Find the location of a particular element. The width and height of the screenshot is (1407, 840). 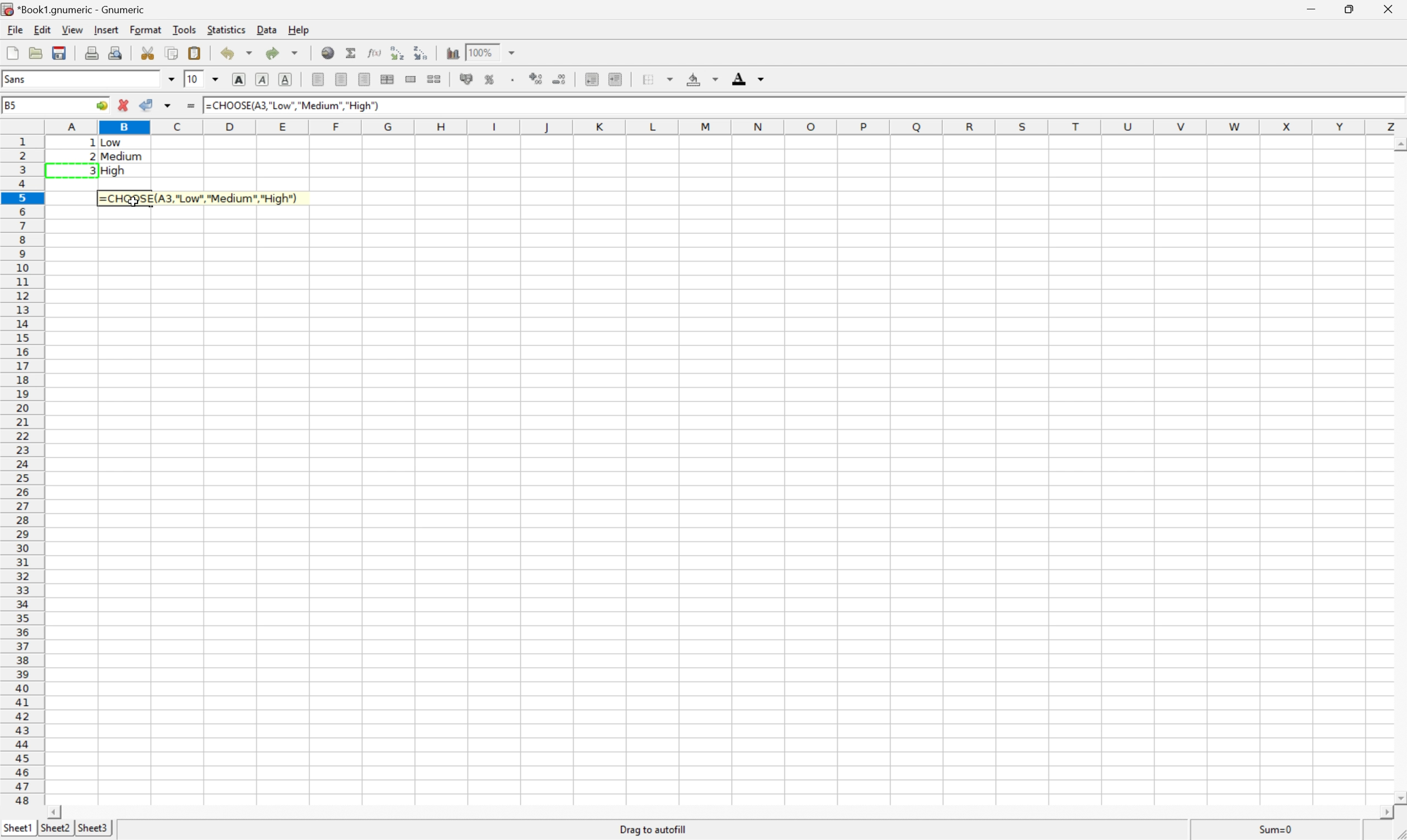

Increase indent, and align the contents to the left is located at coordinates (615, 77).